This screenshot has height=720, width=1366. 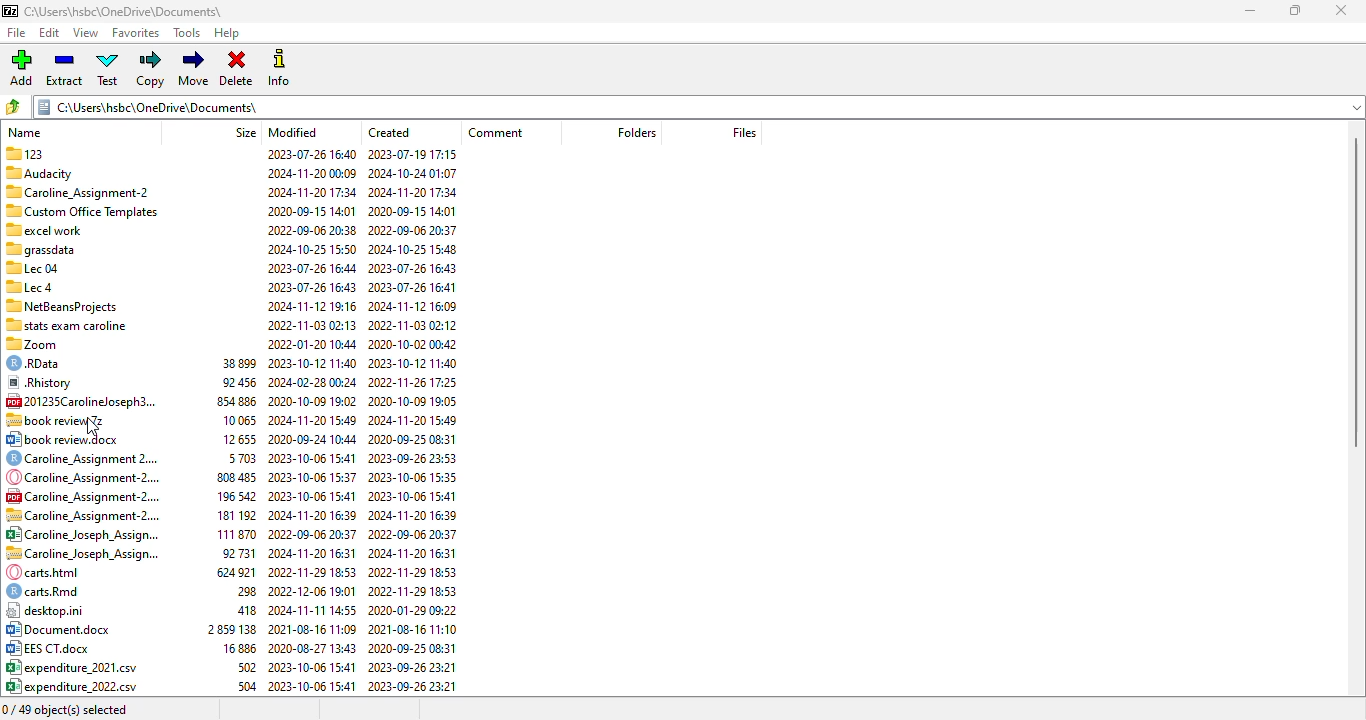 What do you see at coordinates (24, 154) in the screenshot?
I see `123` at bounding box center [24, 154].